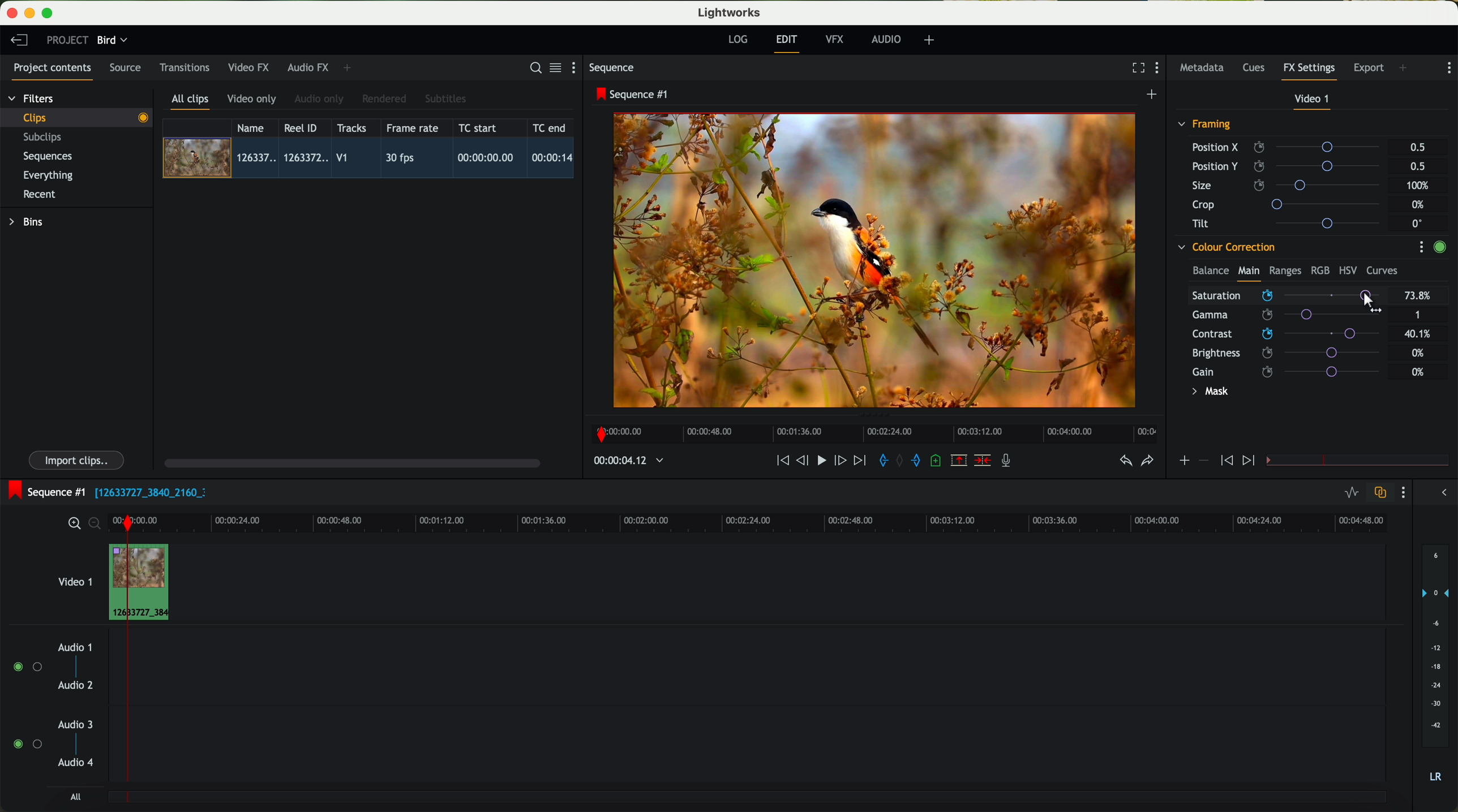 The width and height of the screenshot is (1458, 812). Describe the element at coordinates (871, 431) in the screenshot. I see `timeline` at that location.